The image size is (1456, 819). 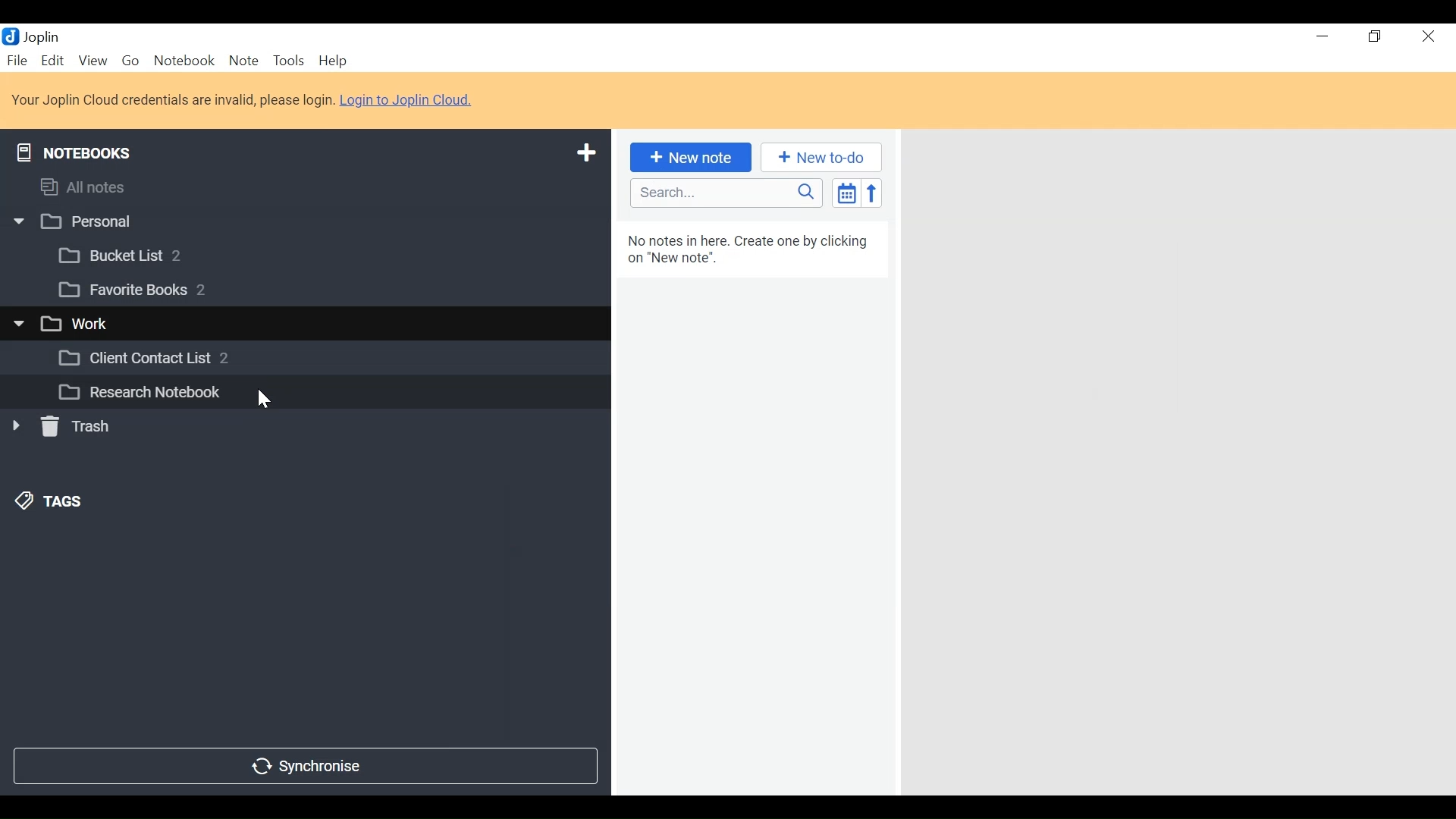 I want to click on Minimize, so click(x=1321, y=36).